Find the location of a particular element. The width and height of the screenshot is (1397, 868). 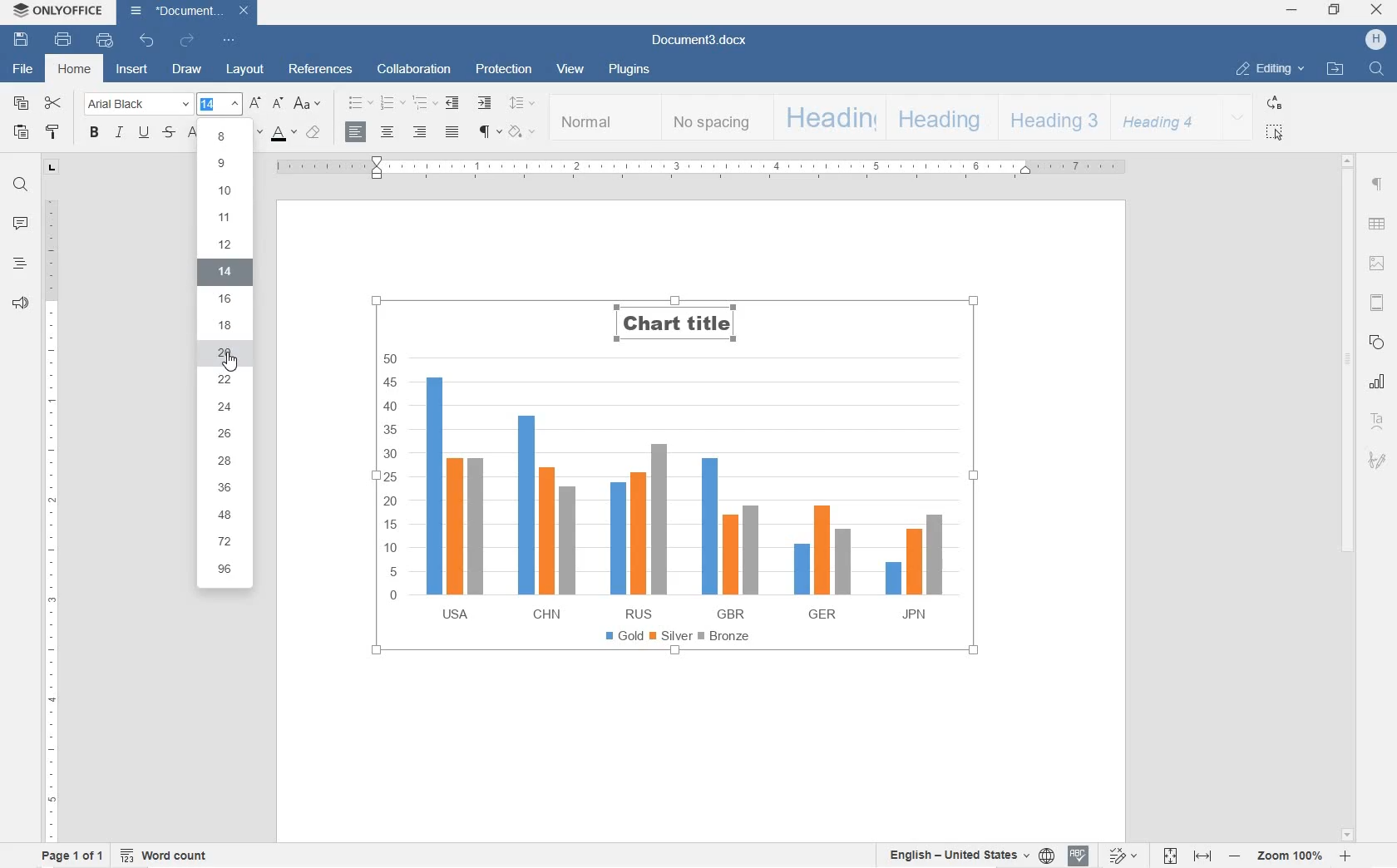

26 is located at coordinates (225, 433).